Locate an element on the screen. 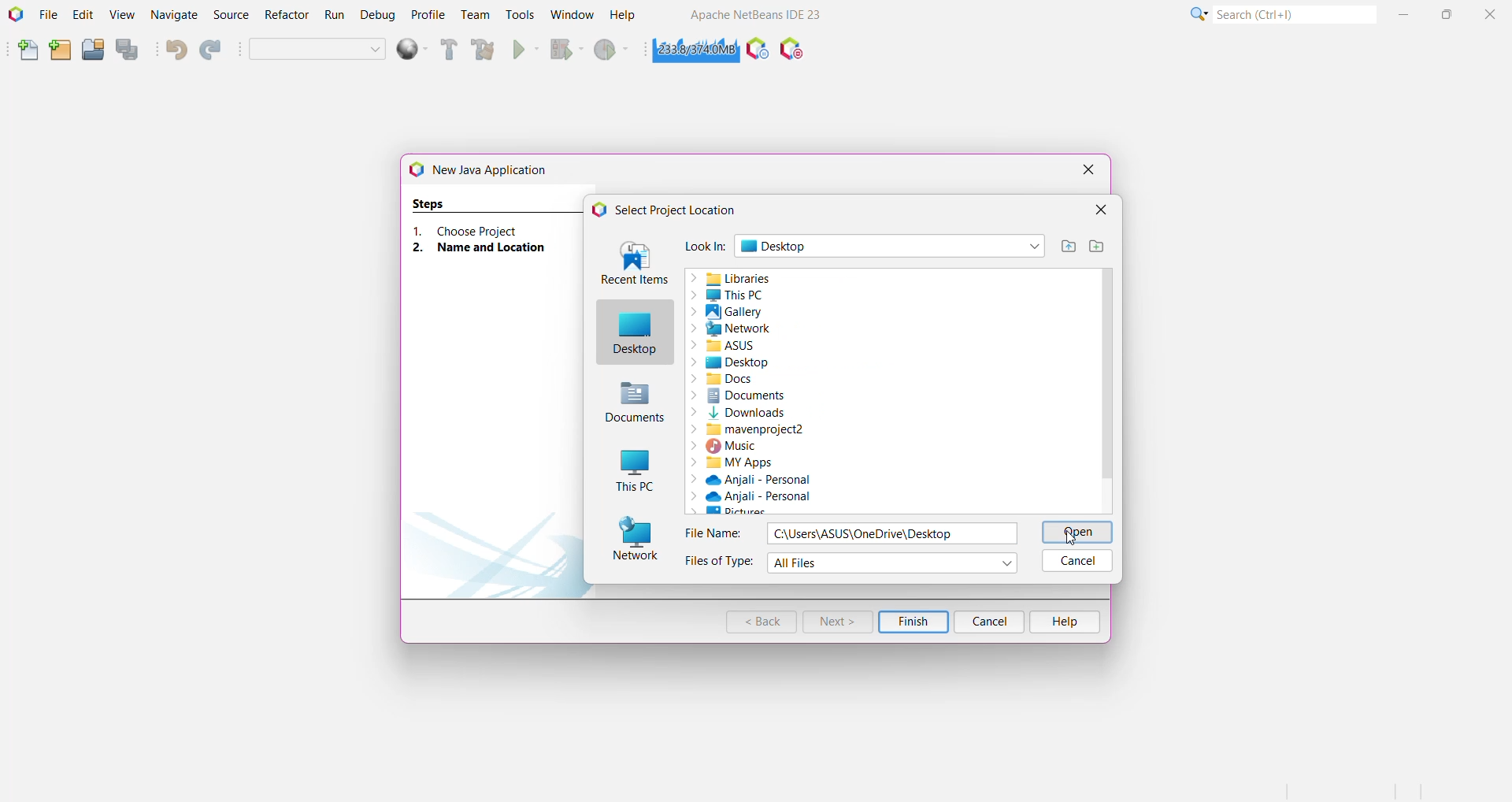  Documents is located at coordinates (883, 397).